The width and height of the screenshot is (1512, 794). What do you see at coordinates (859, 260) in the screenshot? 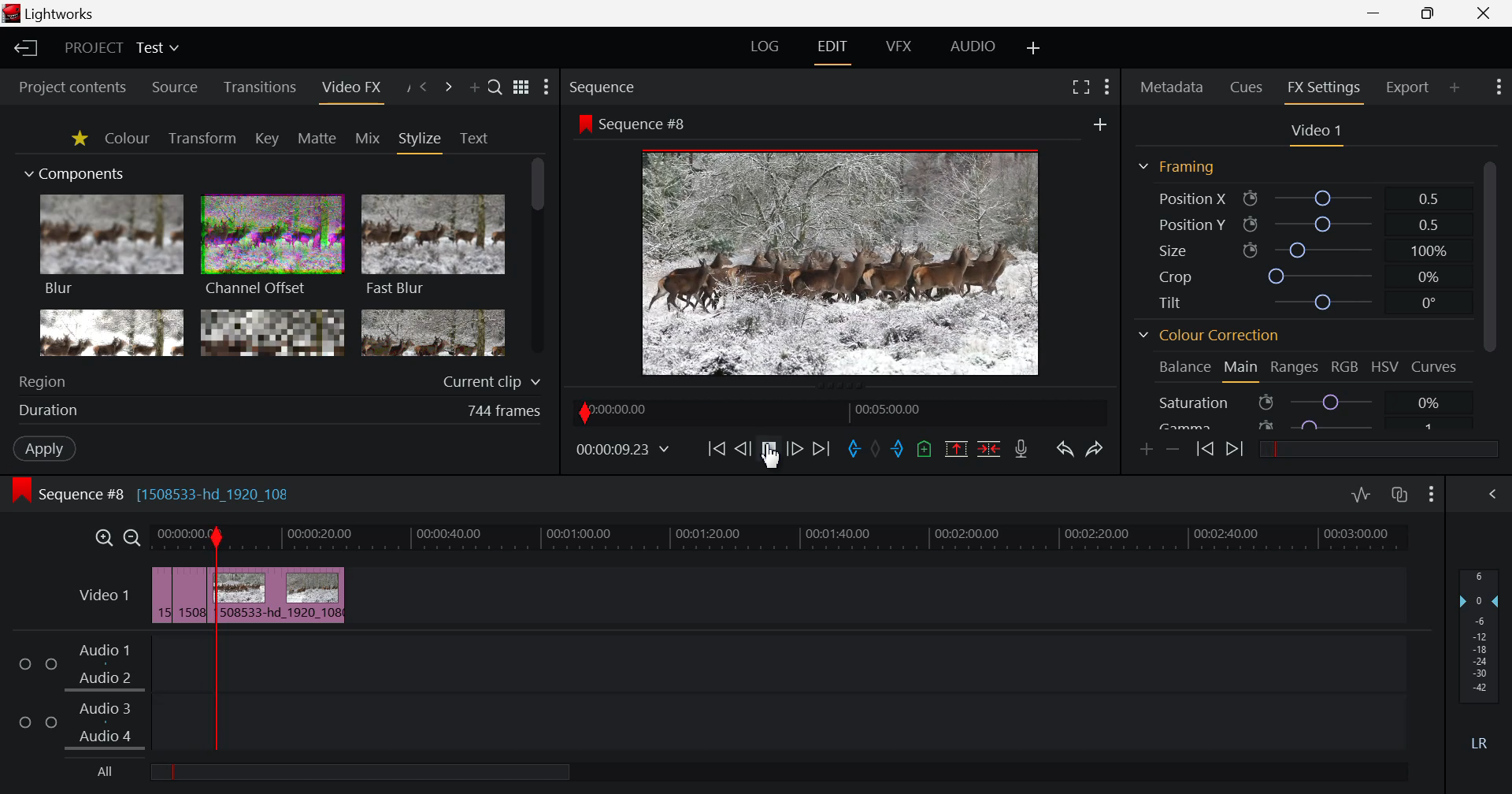
I see `Preview at Stop` at bounding box center [859, 260].